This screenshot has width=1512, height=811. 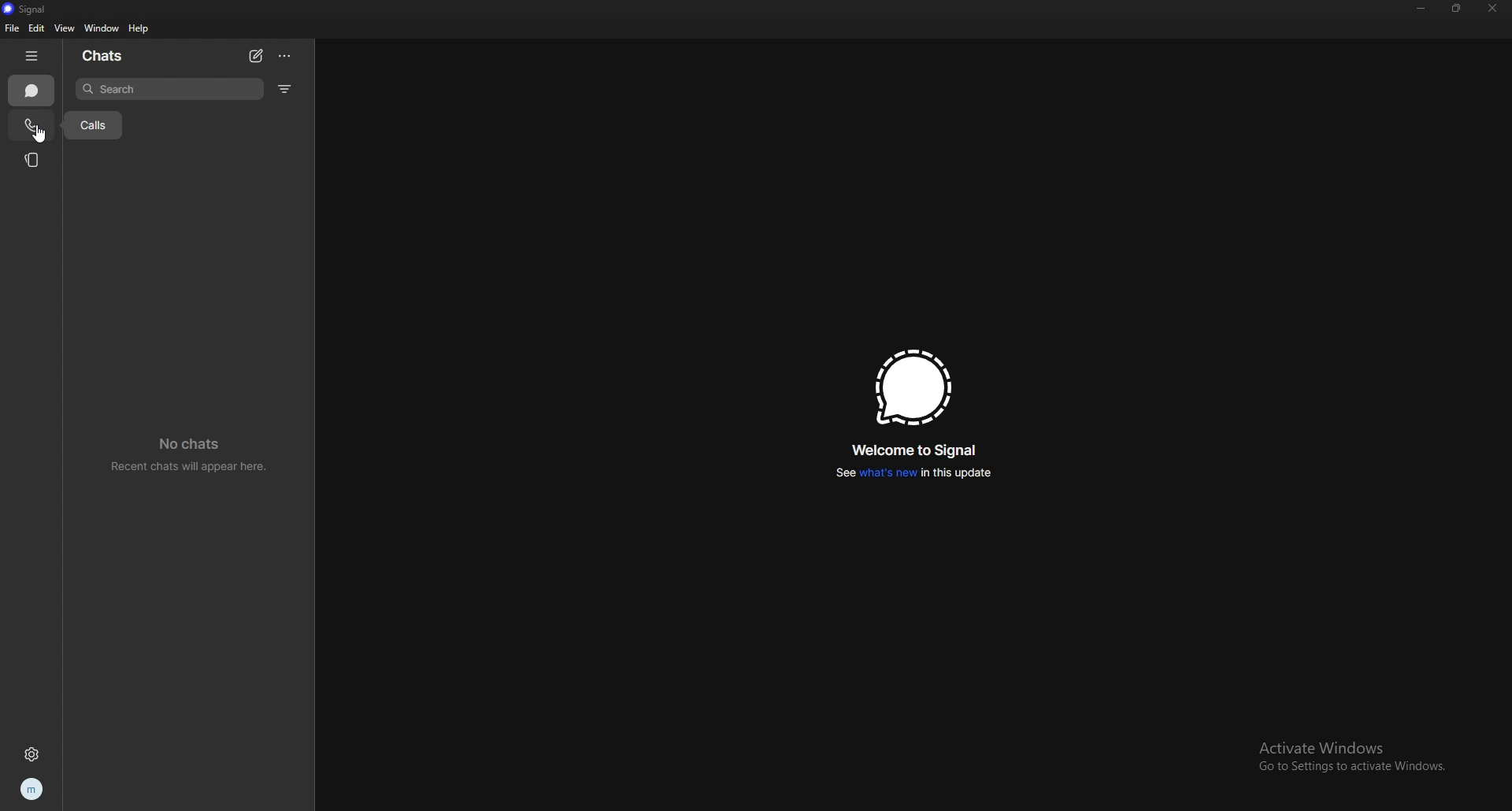 I want to click on filter, so click(x=286, y=89).